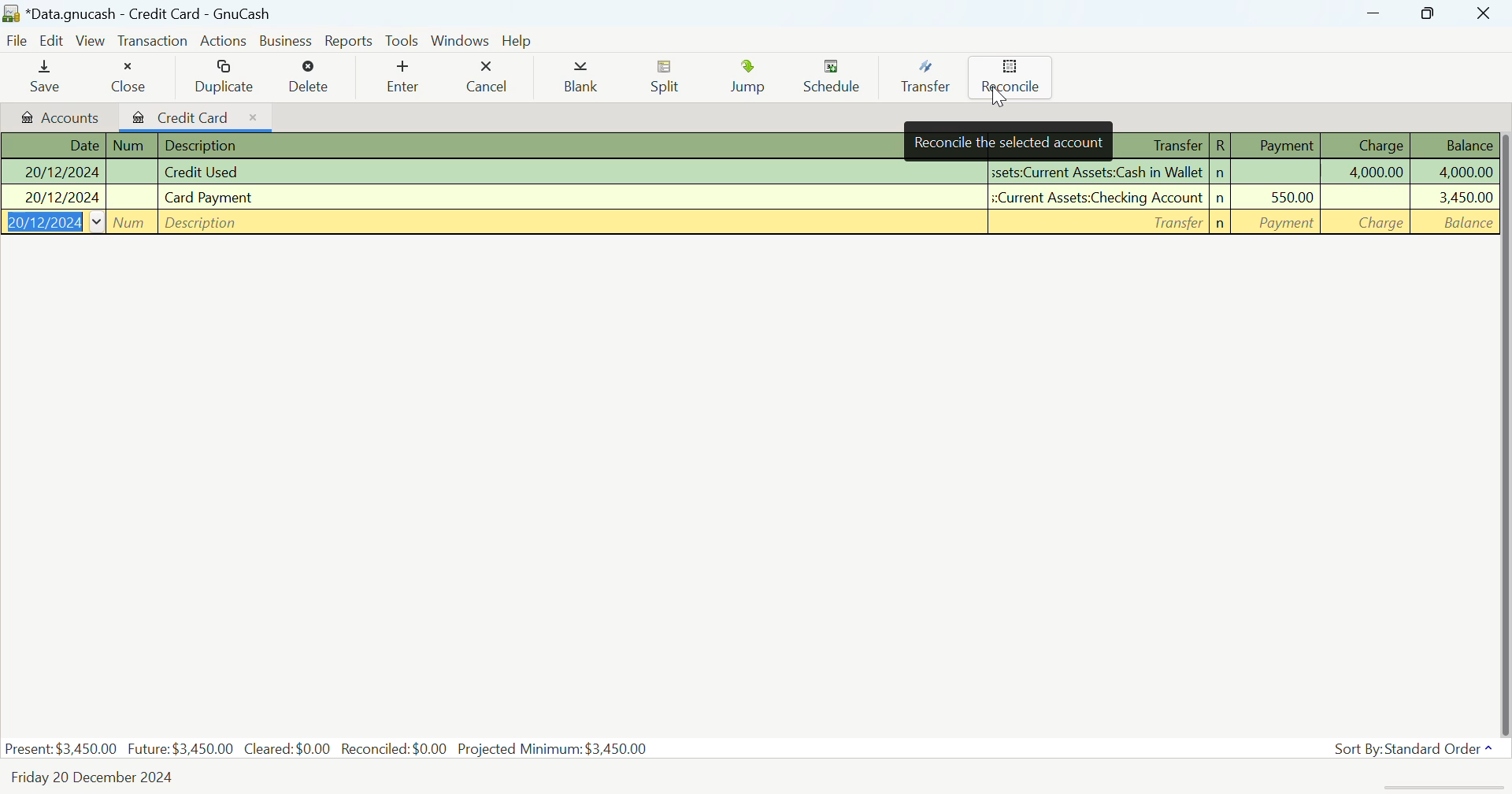 The image size is (1512, 794). What do you see at coordinates (747, 172) in the screenshot?
I see `Credit Used Transaction` at bounding box center [747, 172].